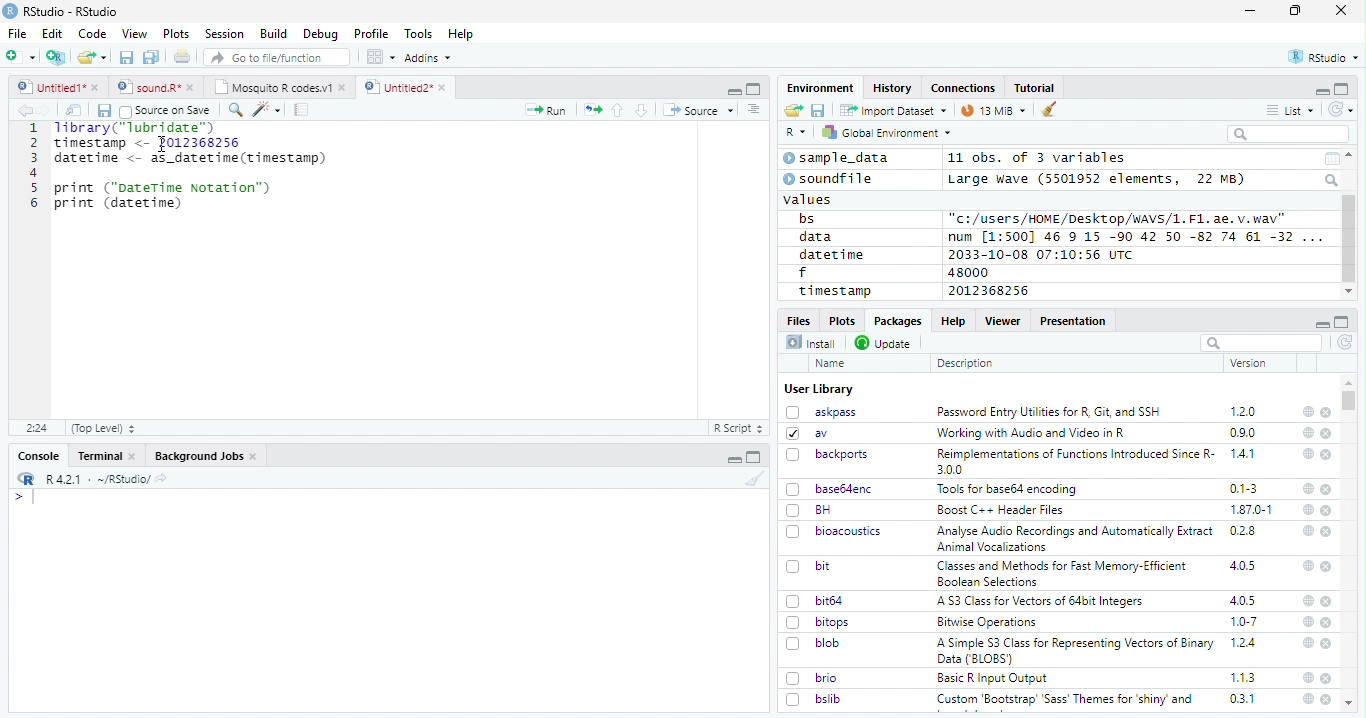 The image size is (1366, 718). Describe the element at coordinates (591, 111) in the screenshot. I see `Re-run the previous code region` at that location.